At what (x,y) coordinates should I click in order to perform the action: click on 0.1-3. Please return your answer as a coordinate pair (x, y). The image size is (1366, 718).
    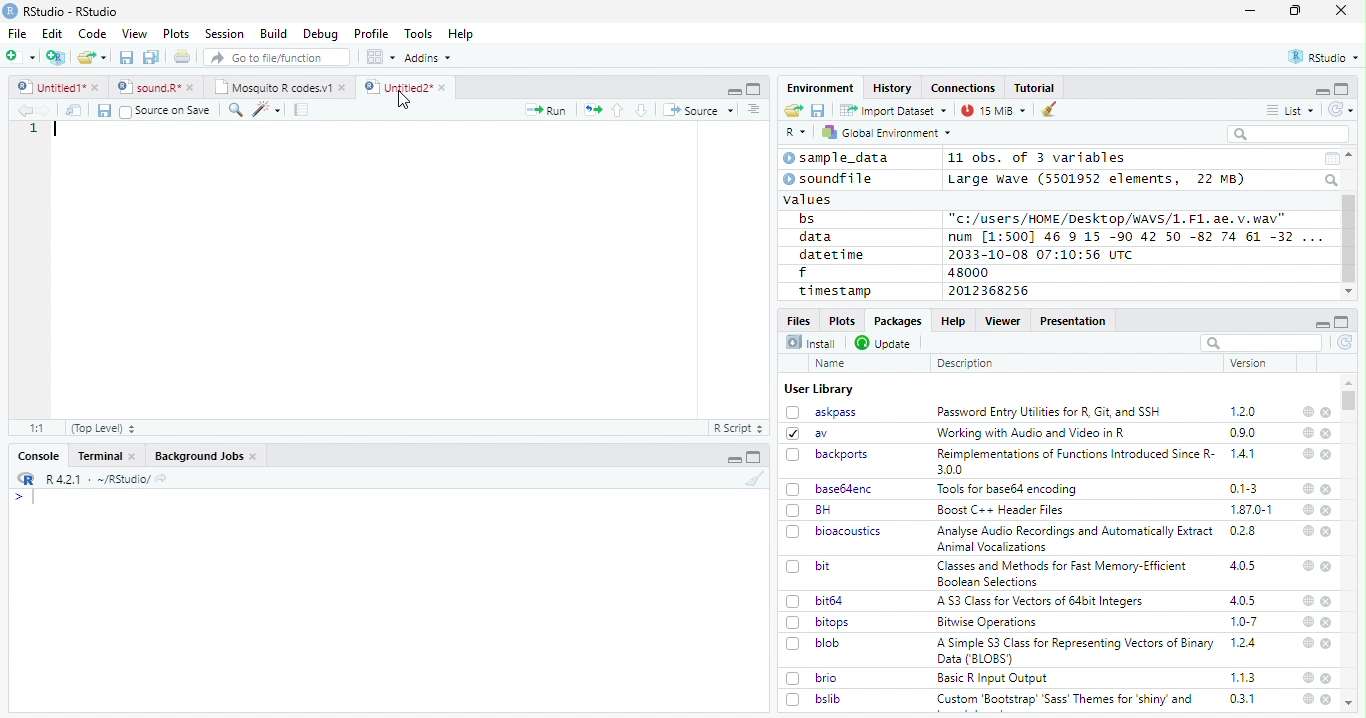
    Looking at the image, I should click on (1247, 488).